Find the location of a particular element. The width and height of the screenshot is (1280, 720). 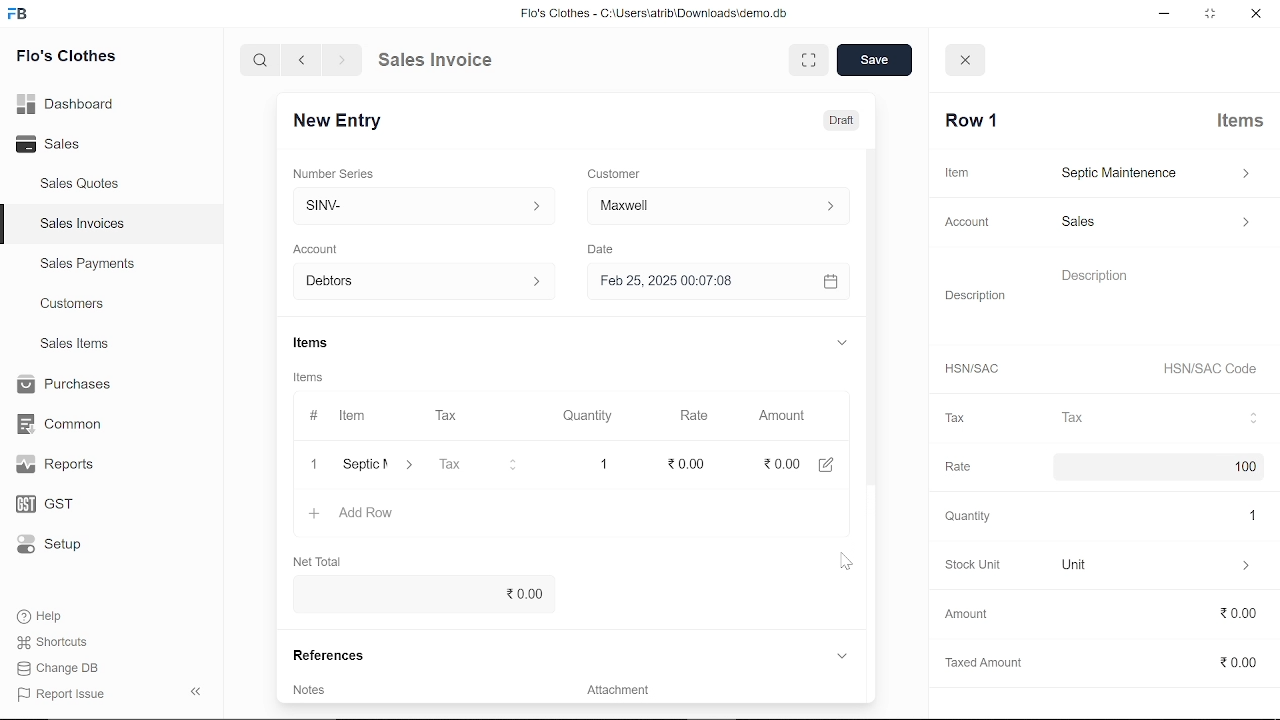

Setup is located at coordinates (54, 544).